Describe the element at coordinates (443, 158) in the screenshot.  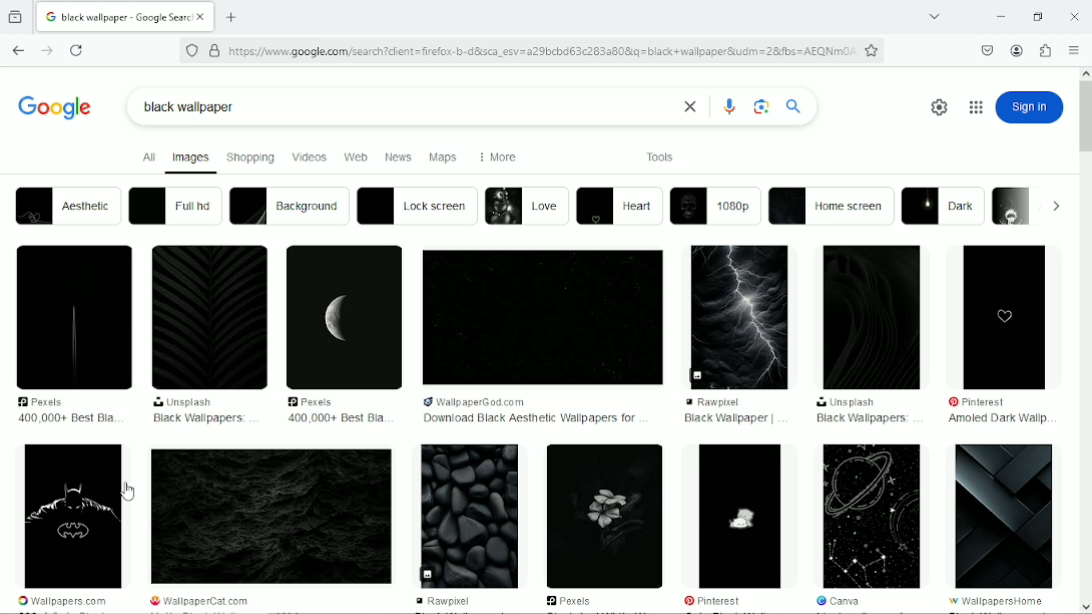
I see `maps` at that location.